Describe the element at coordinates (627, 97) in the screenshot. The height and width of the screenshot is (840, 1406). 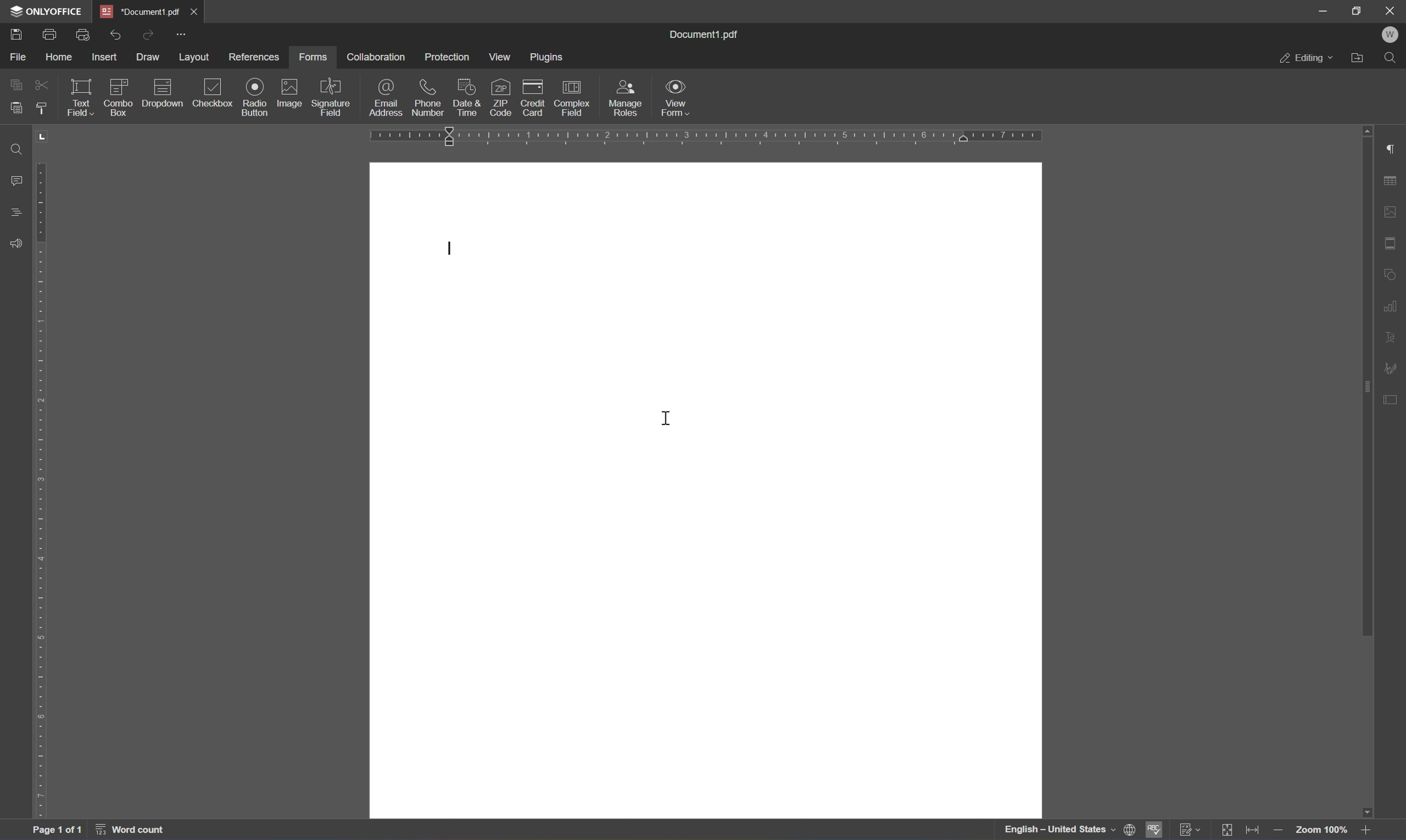
I see `manage roles` at that location.